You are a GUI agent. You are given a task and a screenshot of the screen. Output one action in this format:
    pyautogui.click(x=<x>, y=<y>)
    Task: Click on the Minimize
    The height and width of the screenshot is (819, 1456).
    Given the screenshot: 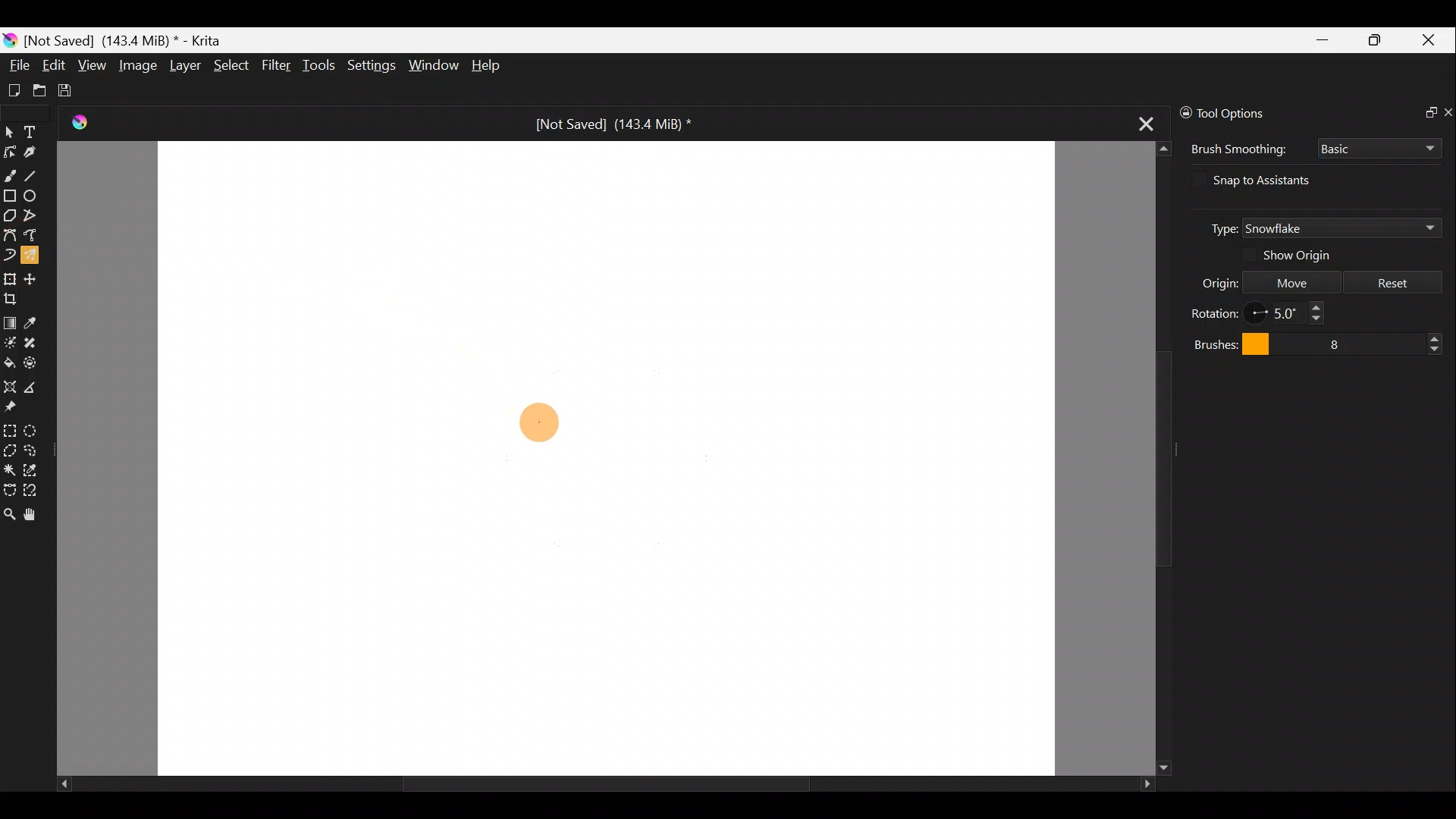 What is the action you would take?
    pyautogui.click(x=1320, y=40)
    